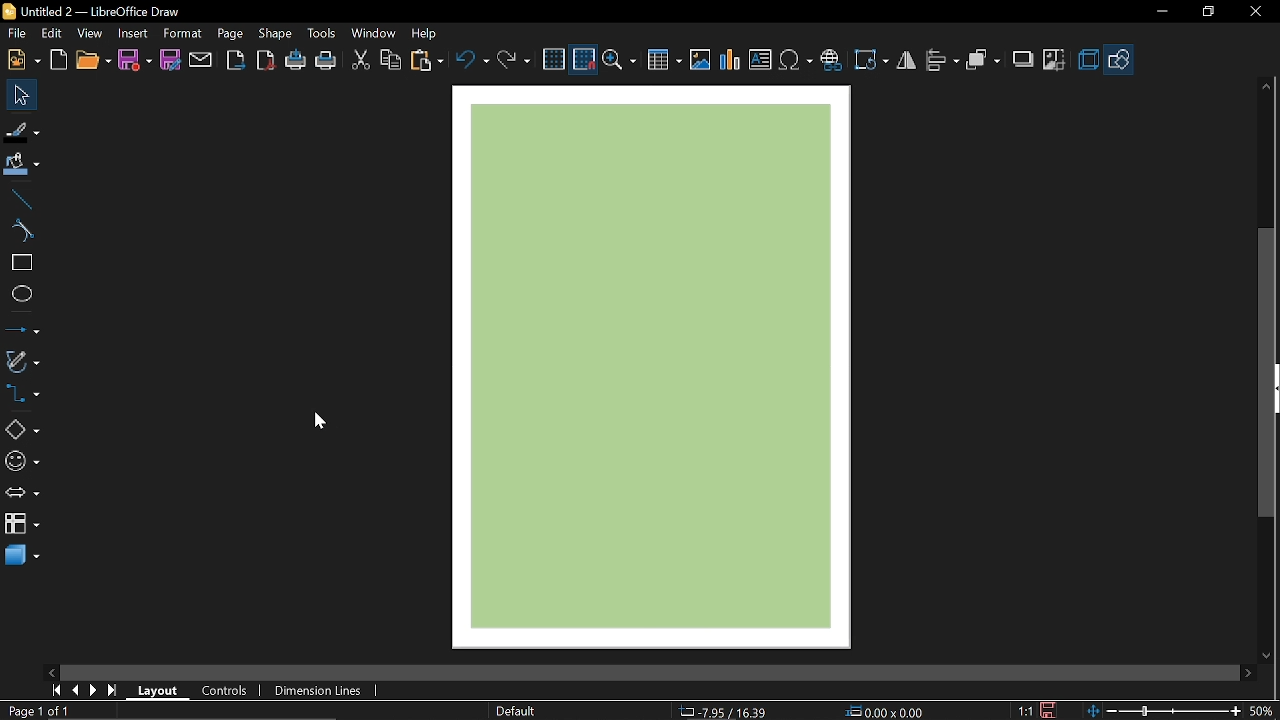 This screenshot has width=1280, height=720. What do you see at coordinates (77, 691) in the screenshot?
I see `Previous` at bounding box center [77, 691].